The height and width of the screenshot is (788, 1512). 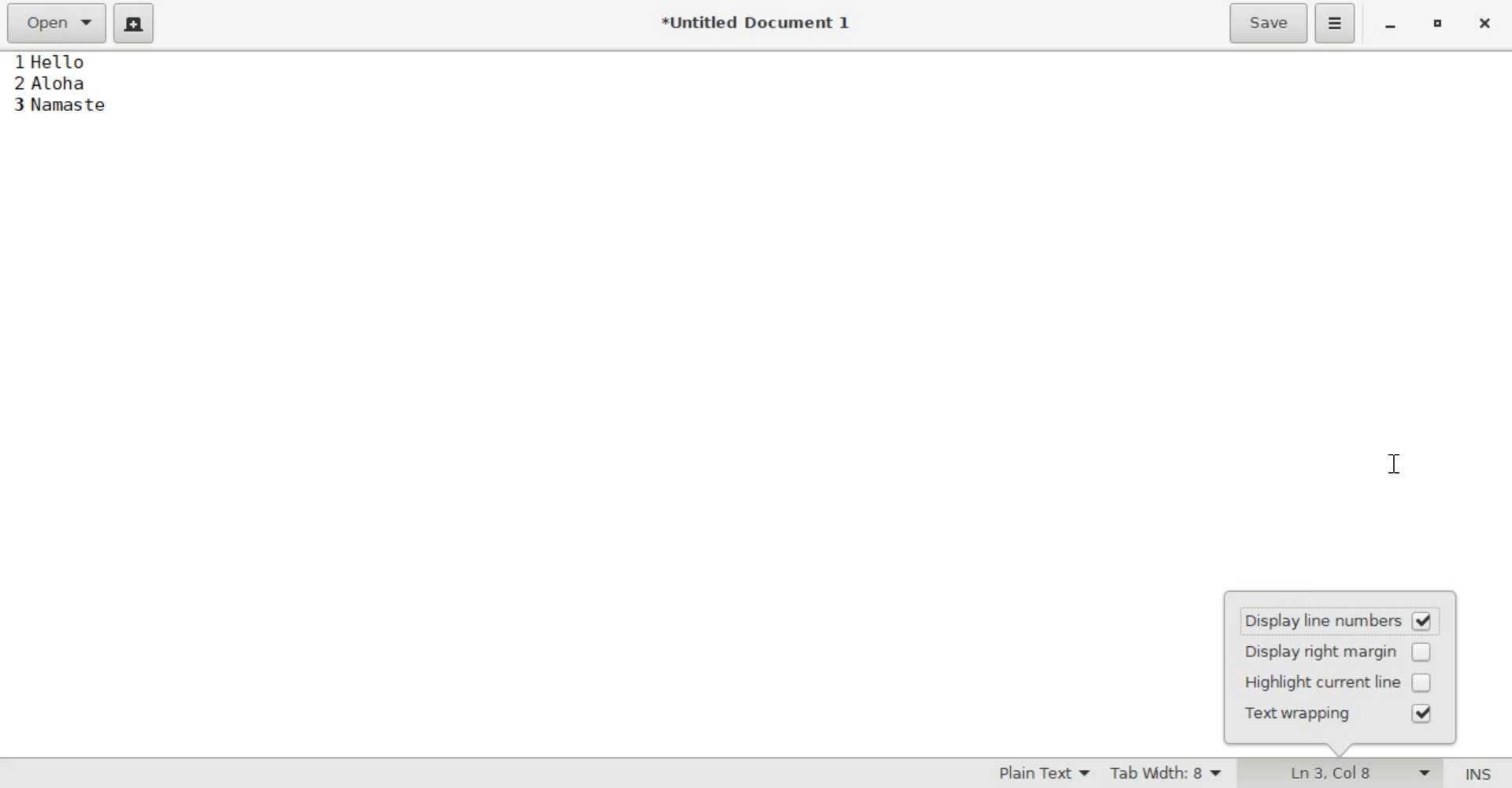 What do you see at coordinates (58, 22) in the screenshot?
I see `Open a file` at bounding box center [58, 22].